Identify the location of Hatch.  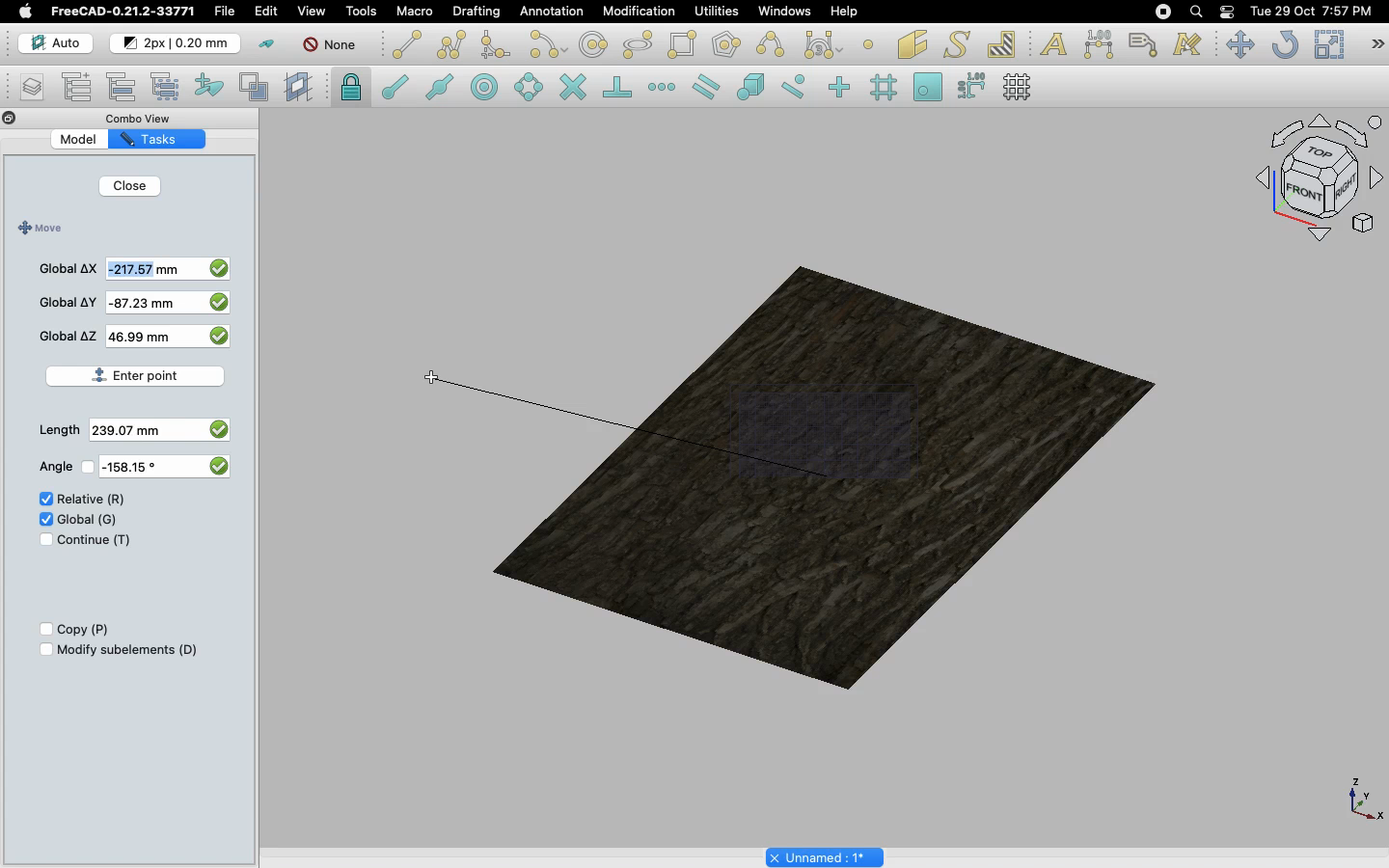
(1002, 44).